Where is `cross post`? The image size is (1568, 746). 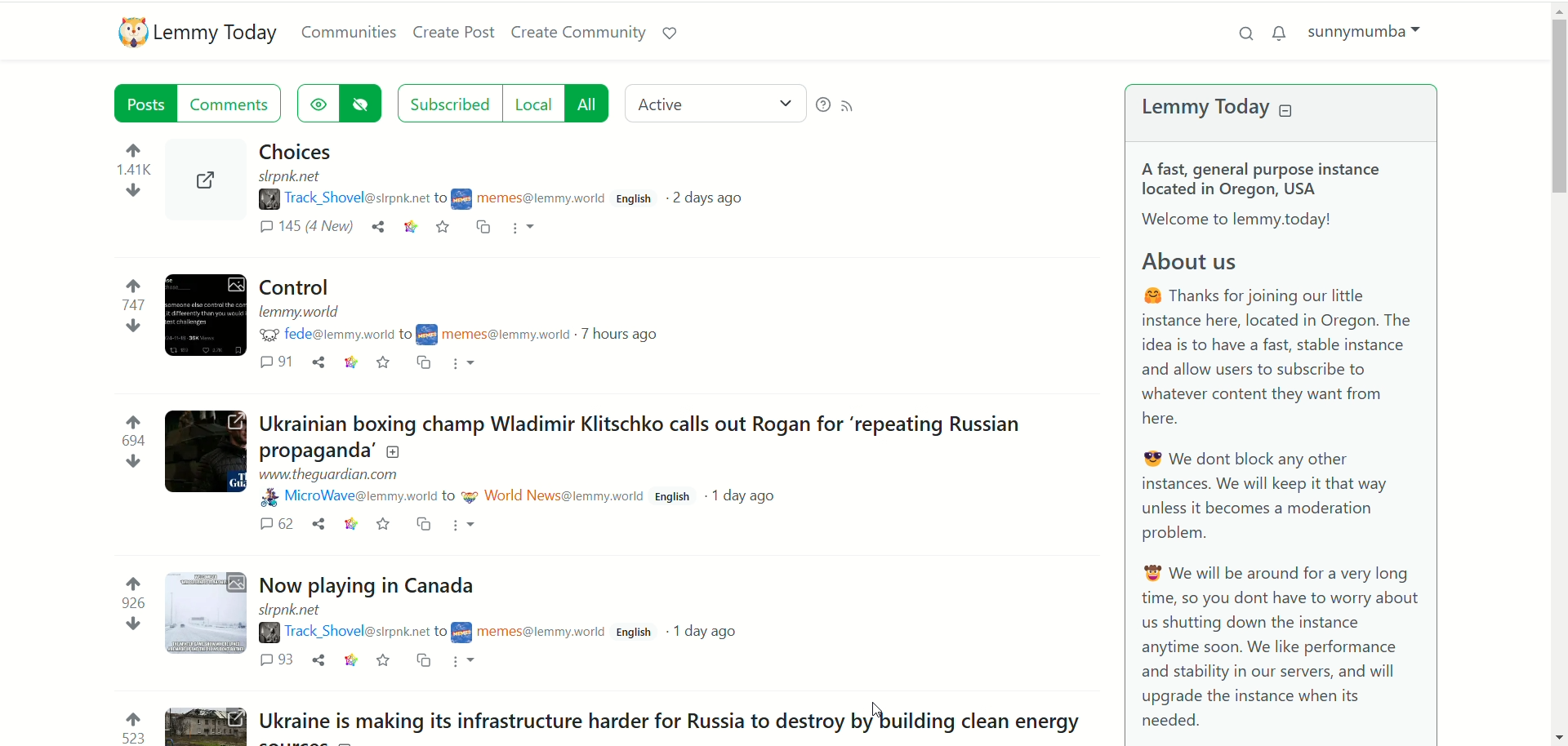 cross post is located at coordinates (424, 524).